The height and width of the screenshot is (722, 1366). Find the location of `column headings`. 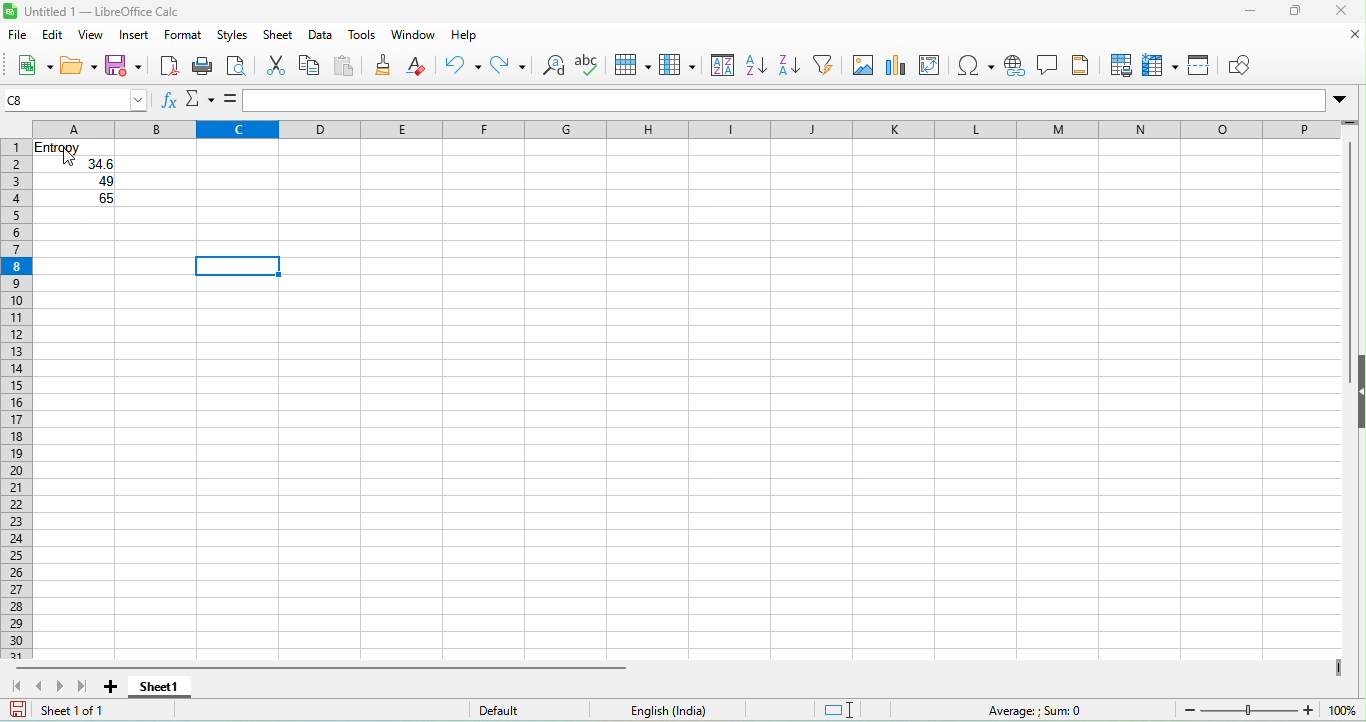

column headings is located at coordinates (687, 130).